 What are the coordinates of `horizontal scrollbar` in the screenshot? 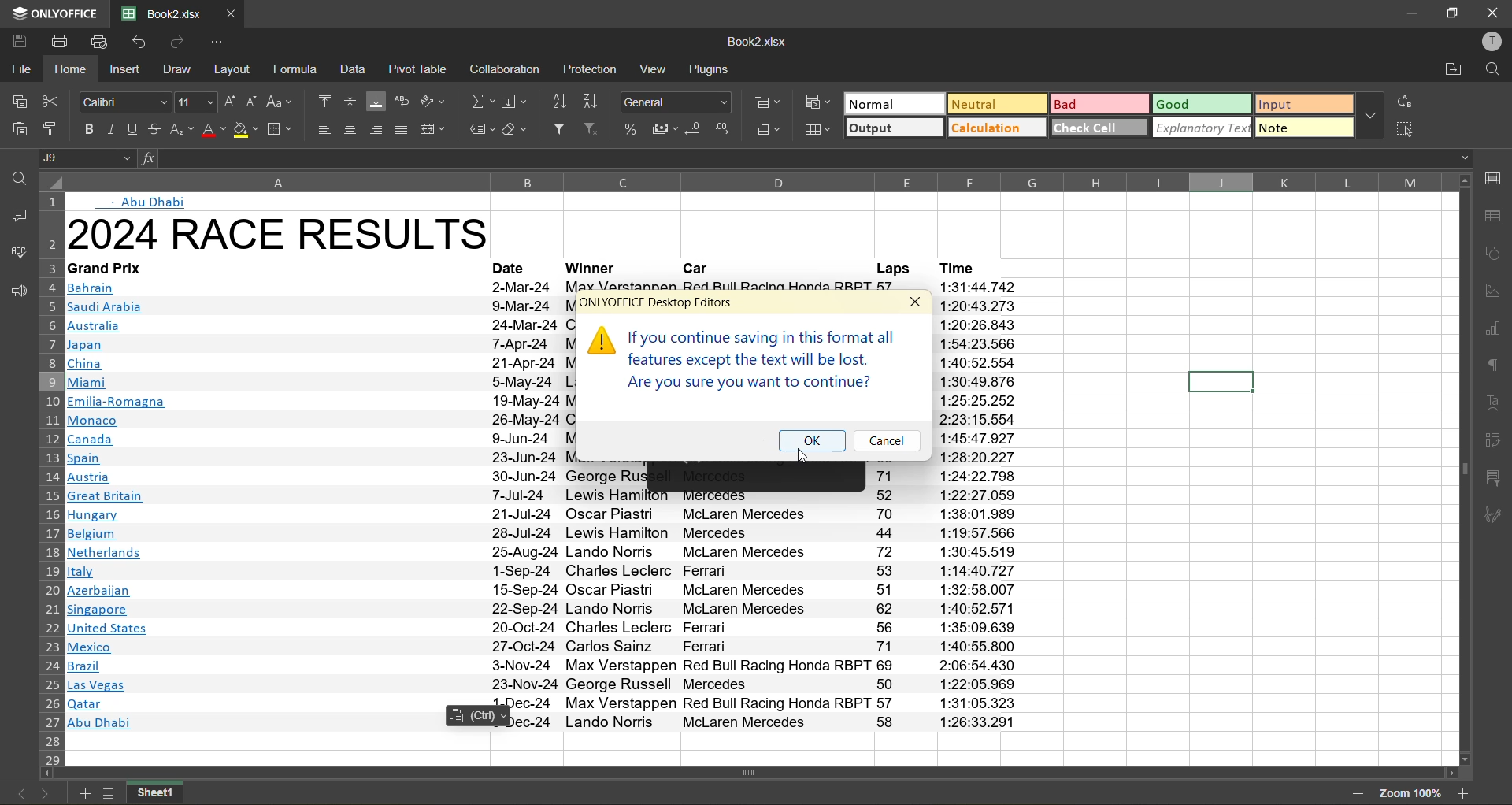 It's located at (747, 773).